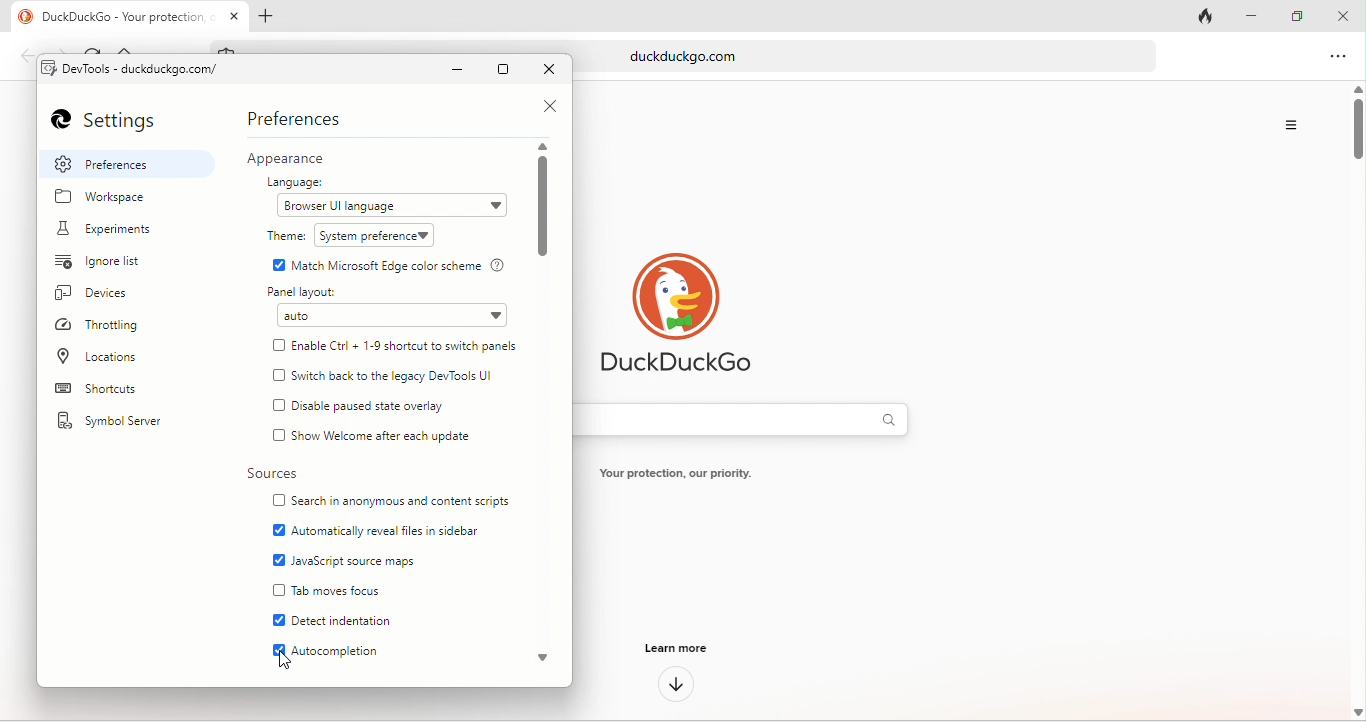  I want to click on shortcuts, so click(122, 391).